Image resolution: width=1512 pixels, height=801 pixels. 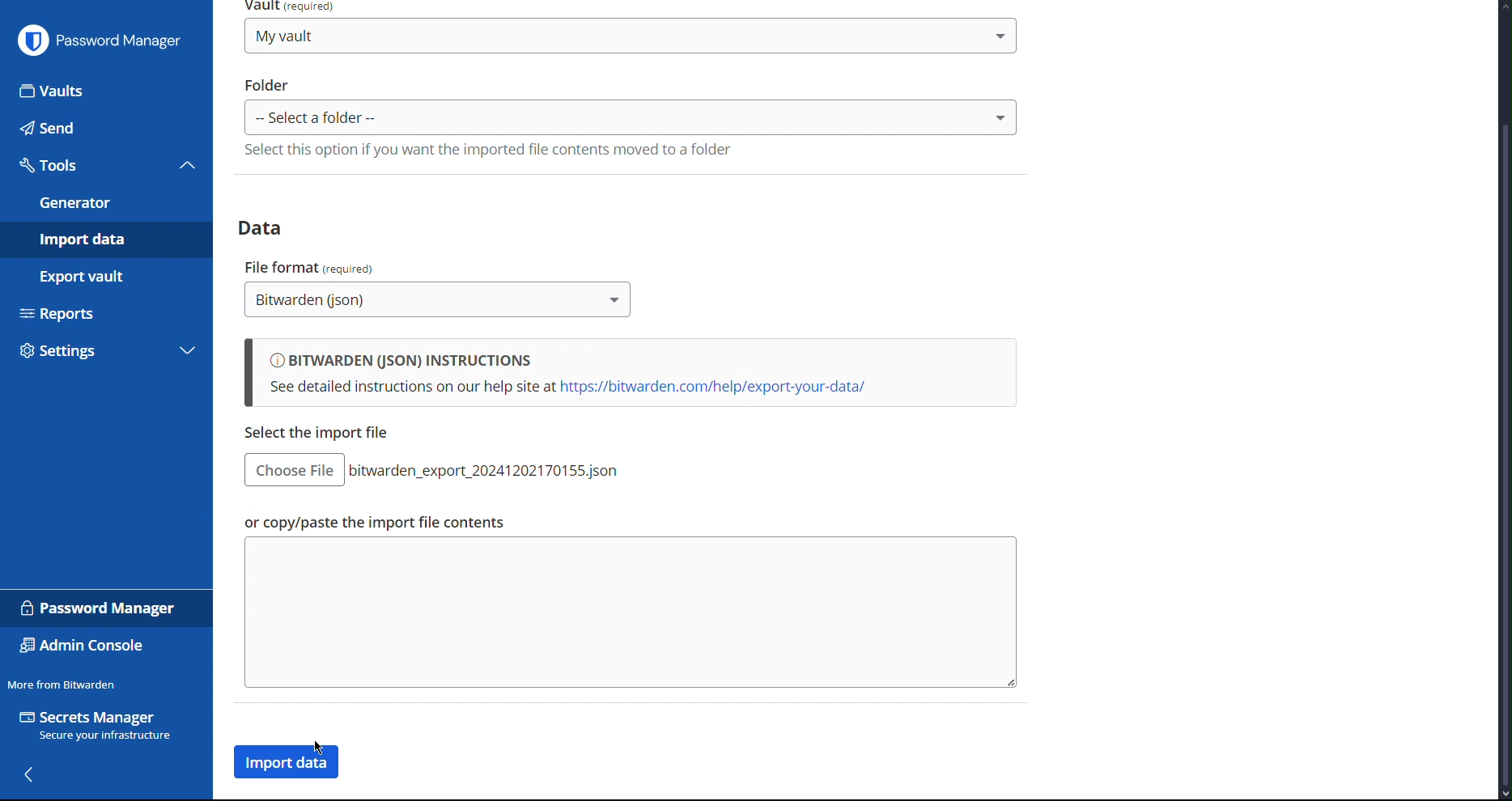 What do you see at coordinates (323, 434) in the screenshot?
I see `copy/paste the import file contents` at bounding box center [323, 434].